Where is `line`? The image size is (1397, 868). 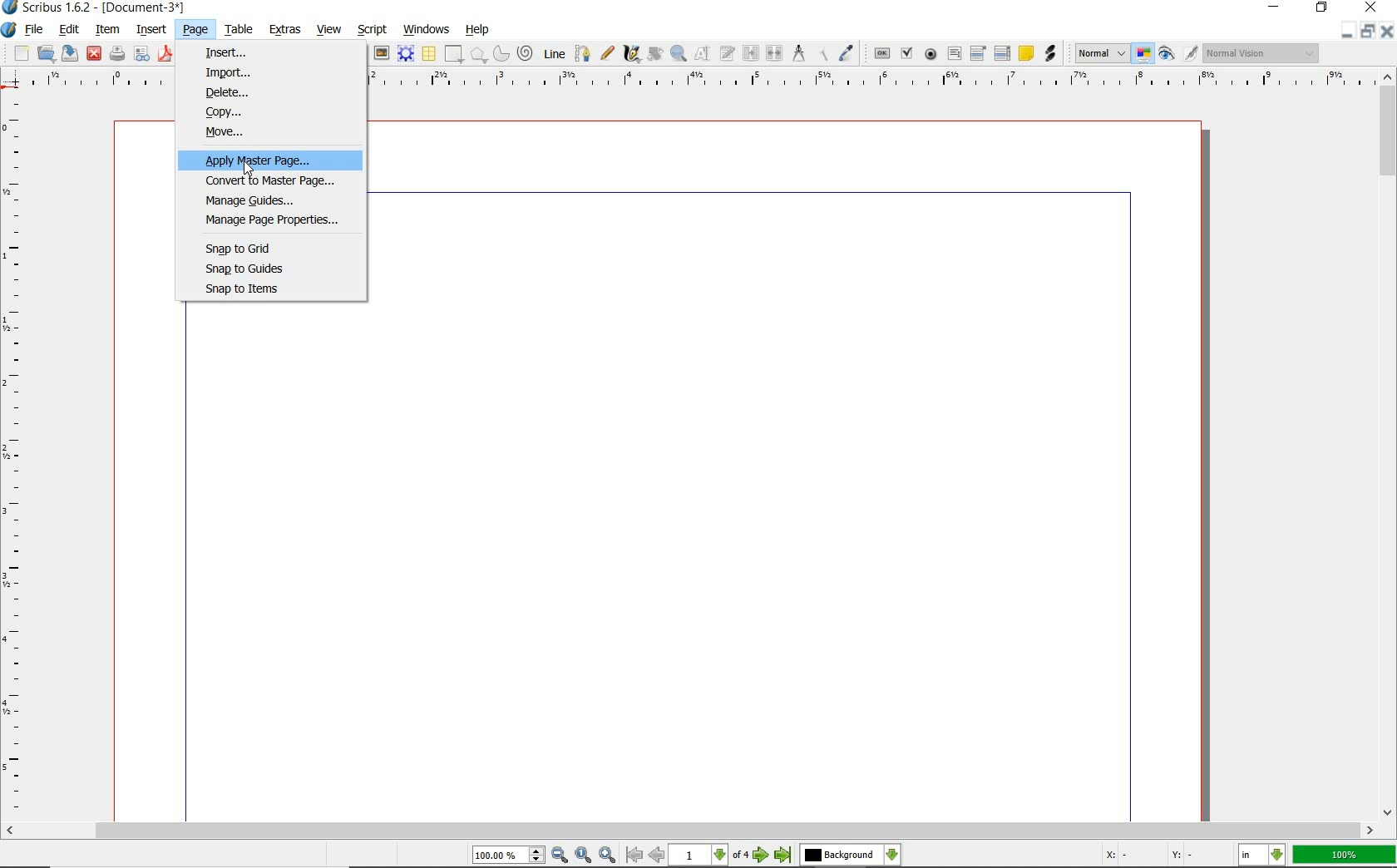
line is located at coordinates (553, 53).